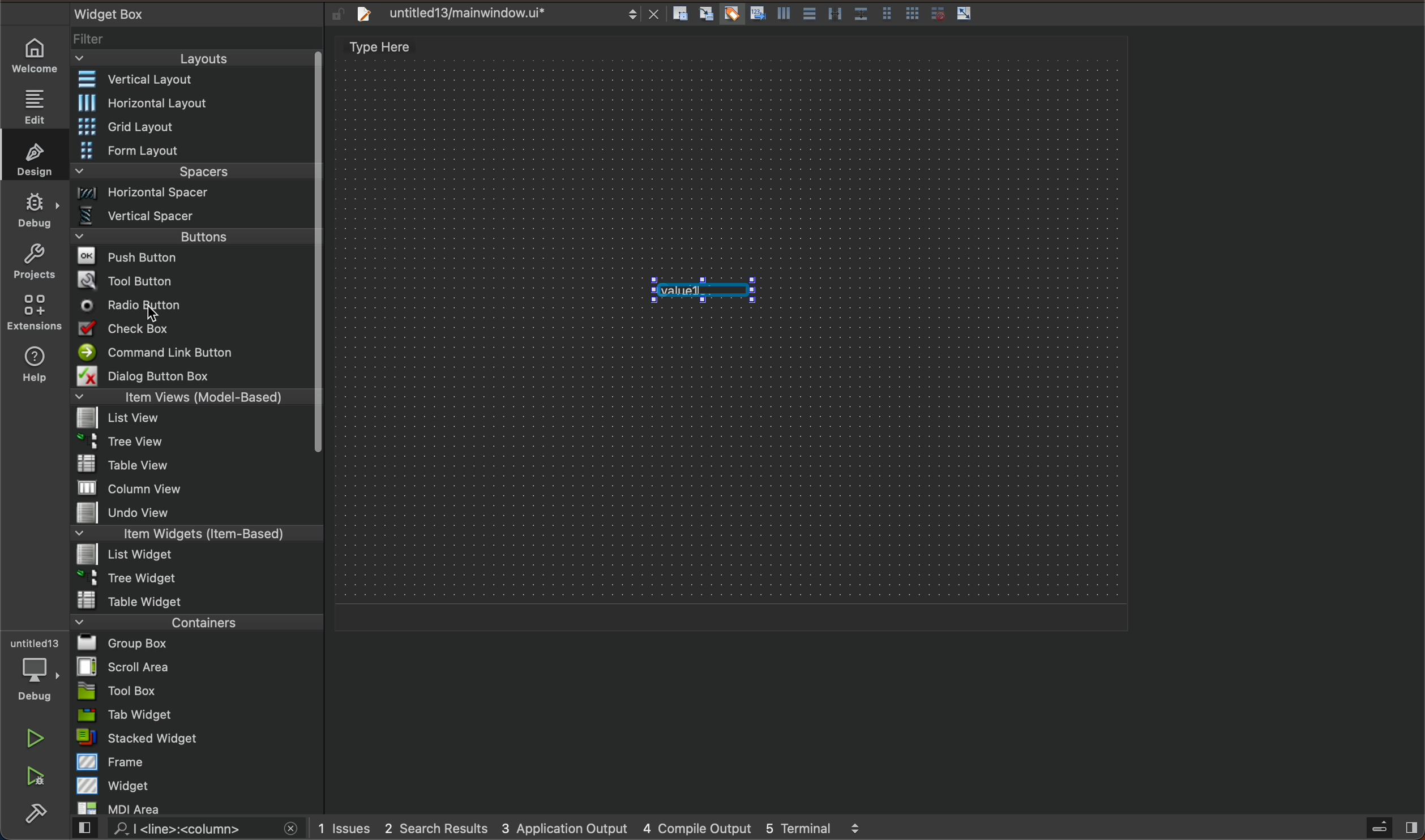 This screenshot has height=840, width=1425. What do you see at coordinates (194, 280) in the screenshot?
I see `tool button` at bounding box center [194, 280].